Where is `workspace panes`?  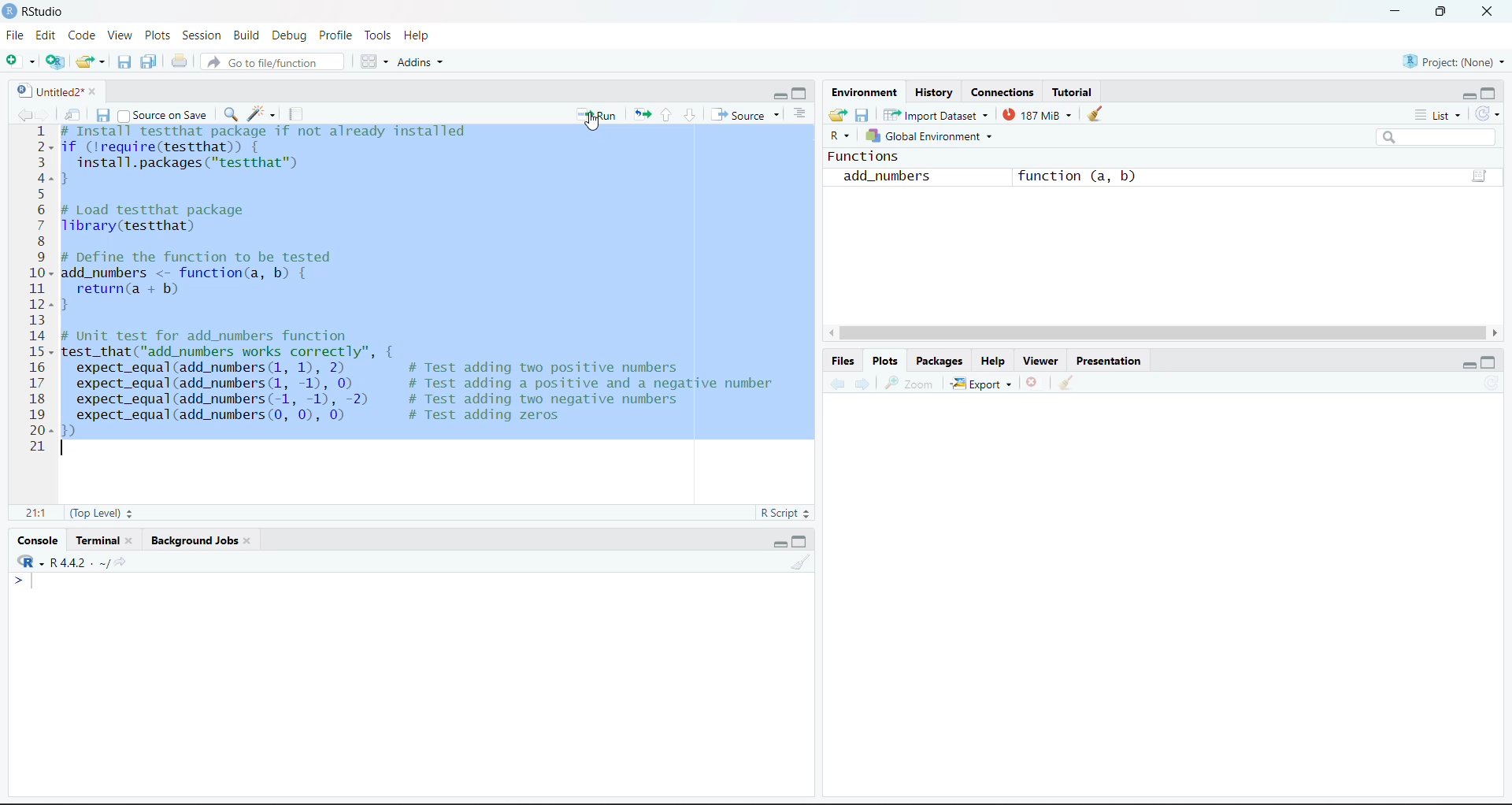 workspace panes is located at coordinates (374, 62).